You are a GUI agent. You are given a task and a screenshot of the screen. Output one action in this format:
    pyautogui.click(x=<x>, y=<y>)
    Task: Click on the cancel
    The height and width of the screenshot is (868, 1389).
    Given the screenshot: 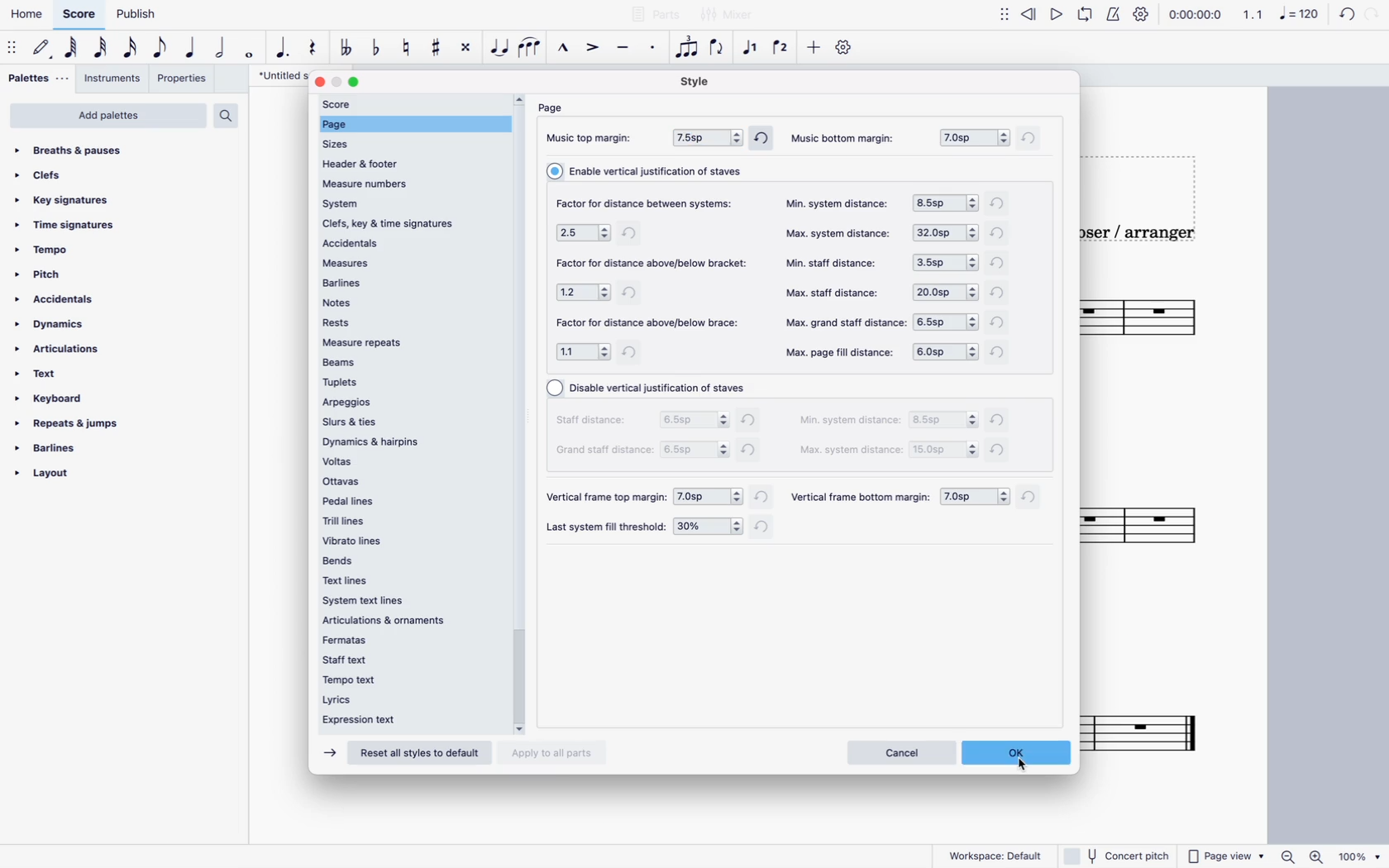 What is the action you would take?
    pyautogui.click(x=900, y=752)
    